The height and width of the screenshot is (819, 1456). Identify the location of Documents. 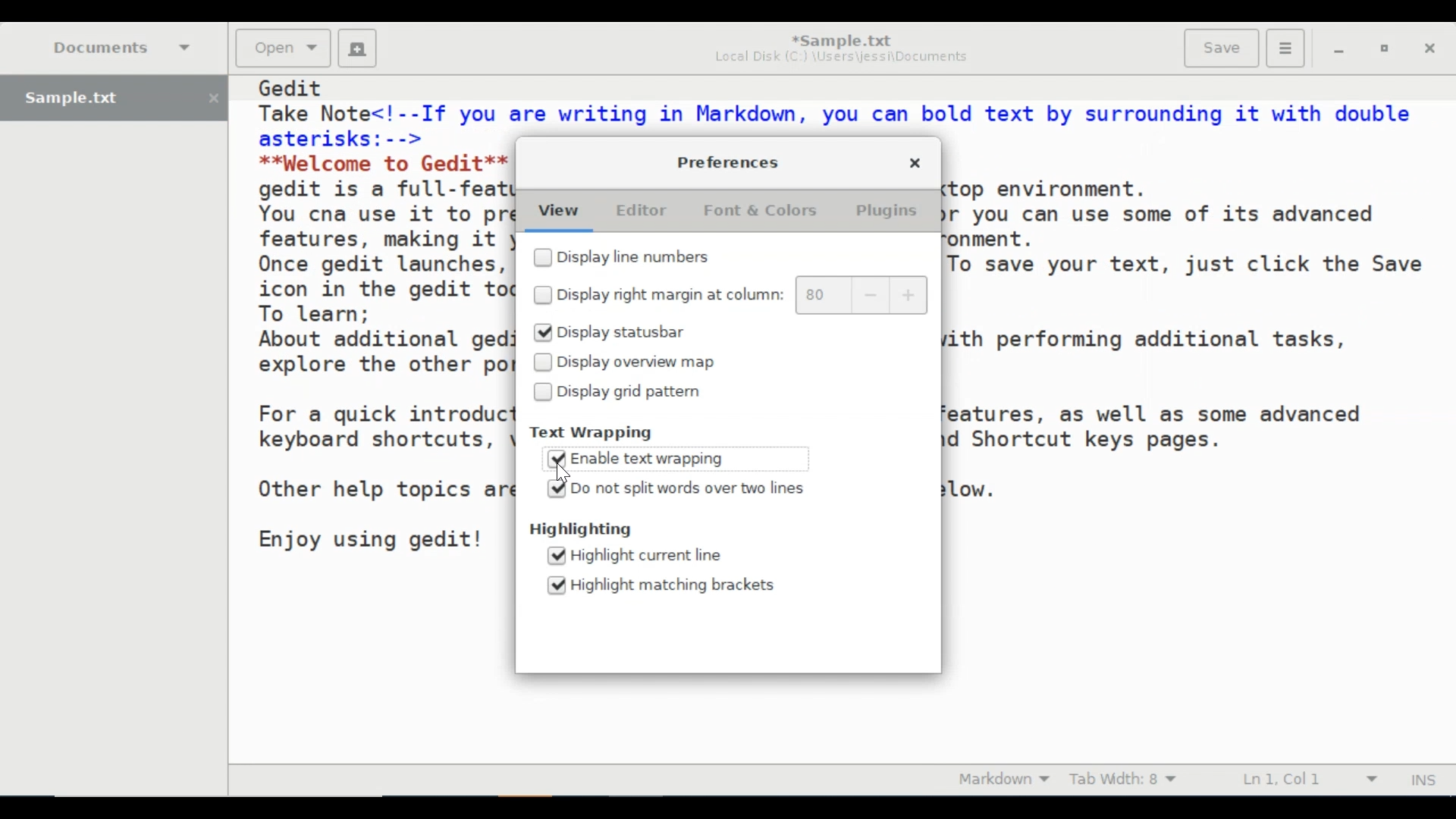
(119, 47).